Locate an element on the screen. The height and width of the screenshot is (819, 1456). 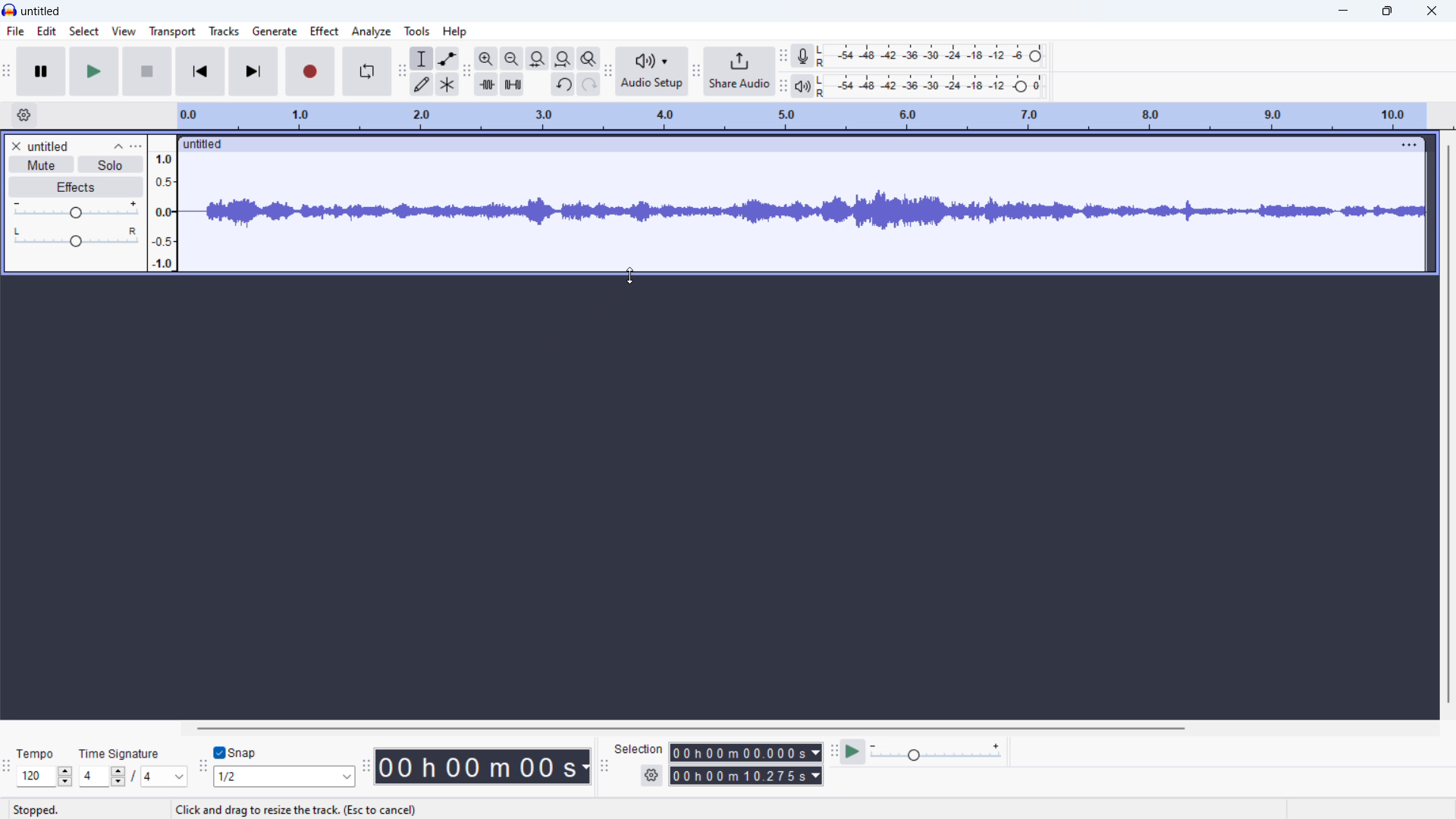
amplitude is located at coordinates (162, 202).